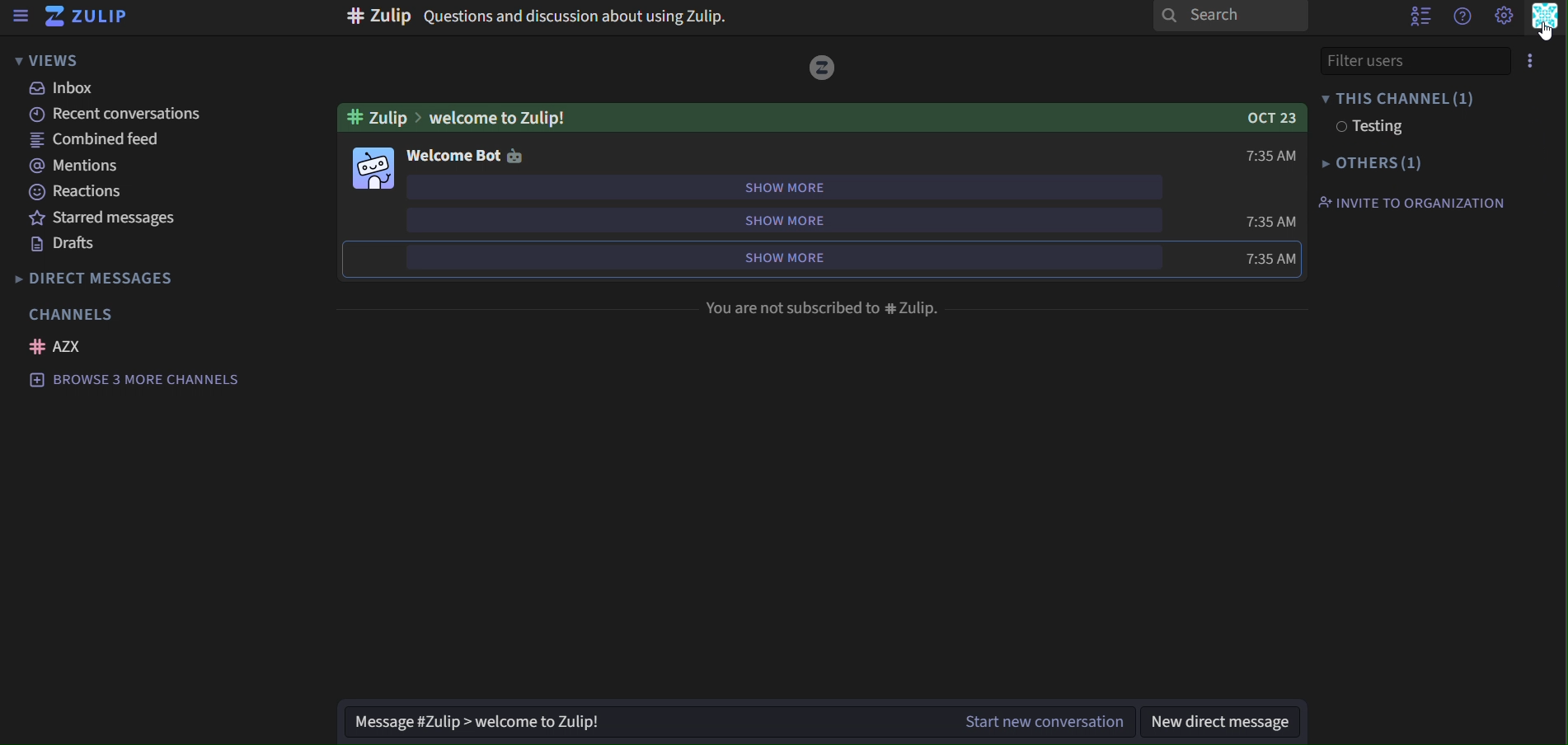 This screenshot has height=745, width=1568. What do you see at coordinates (546, 16) in the screenshot?
I see `#zulip Question and discussion` at bounding box center [546, 16].